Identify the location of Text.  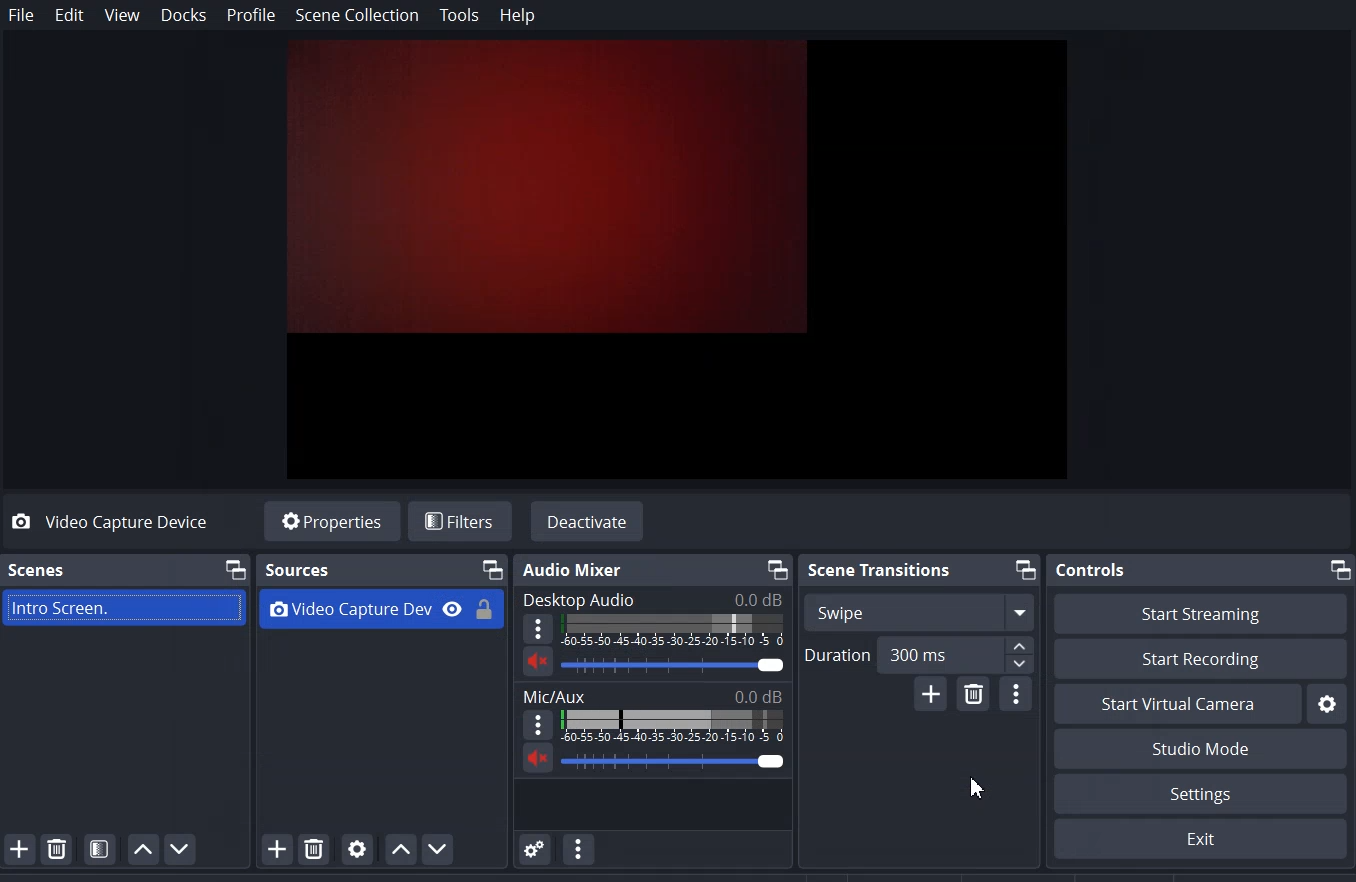
(673, 667).